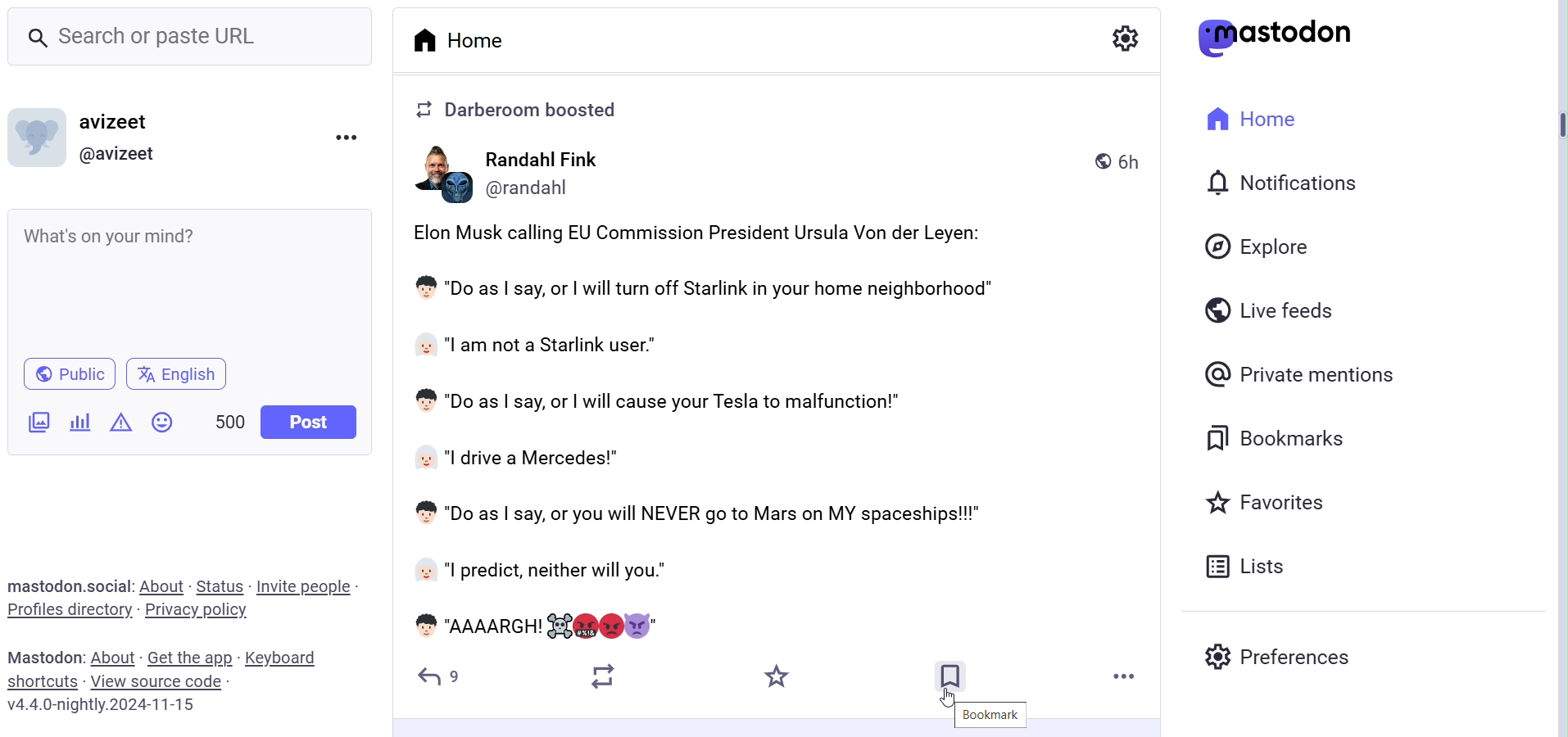  What do you see at coordinates (34, 137) in the screenshot?
I see `Profile Picture` at bounding box center [34, 137].